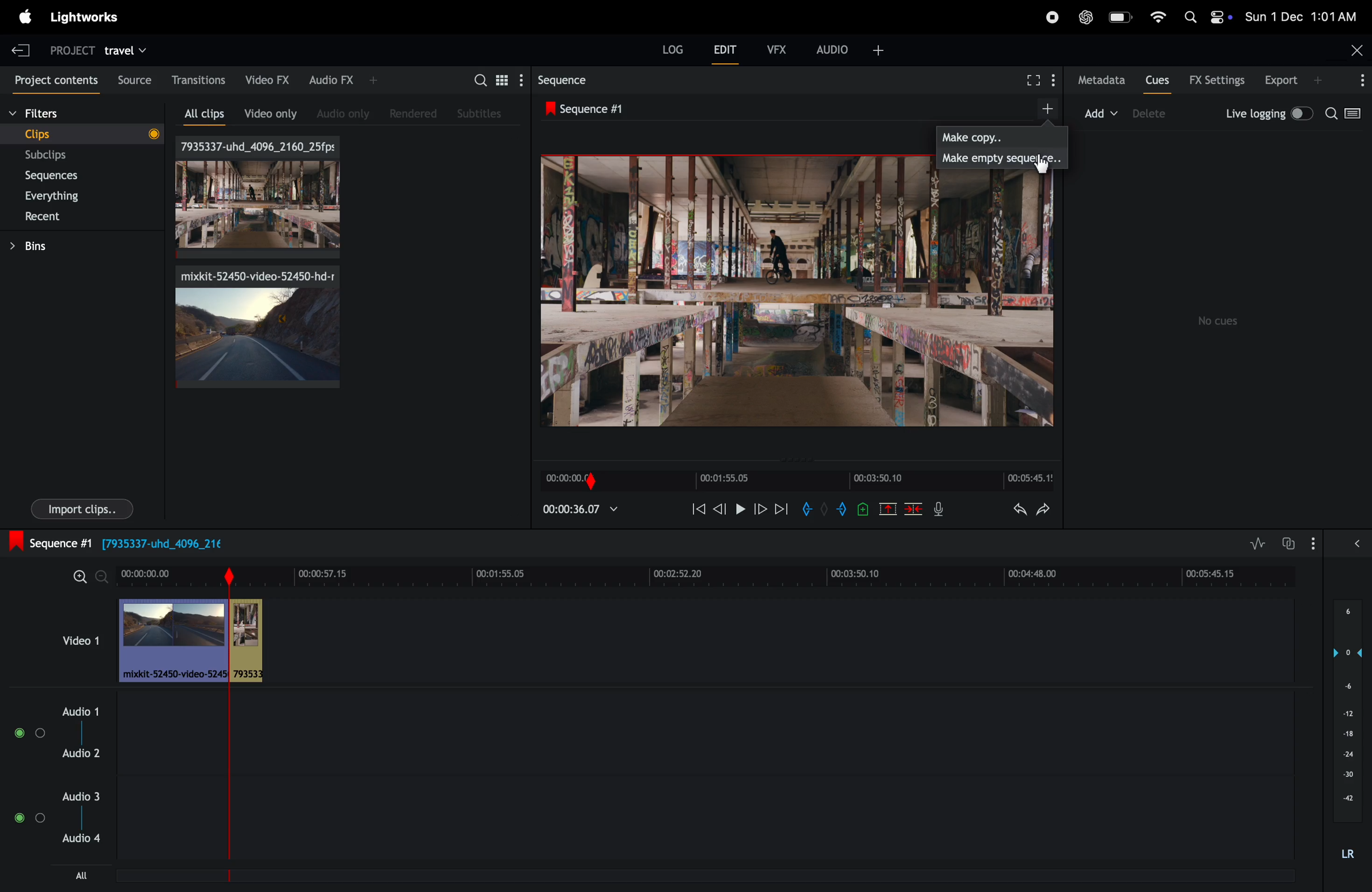 The height and width of the screenshot is (892, 1372). I want to click on sequence, so click(573, 80).